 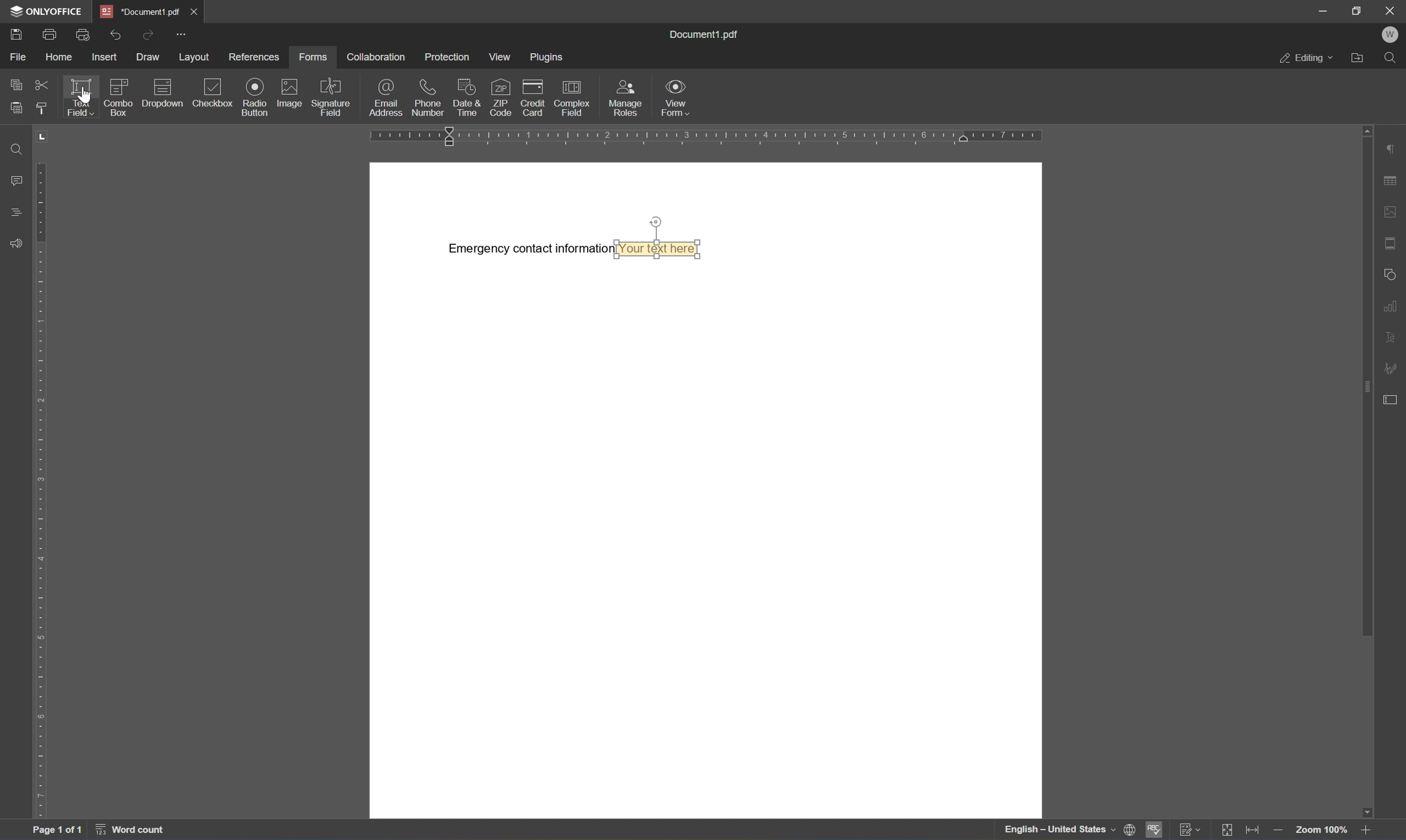 I want to click on emergency contact information:, so click(x=528, y=250).